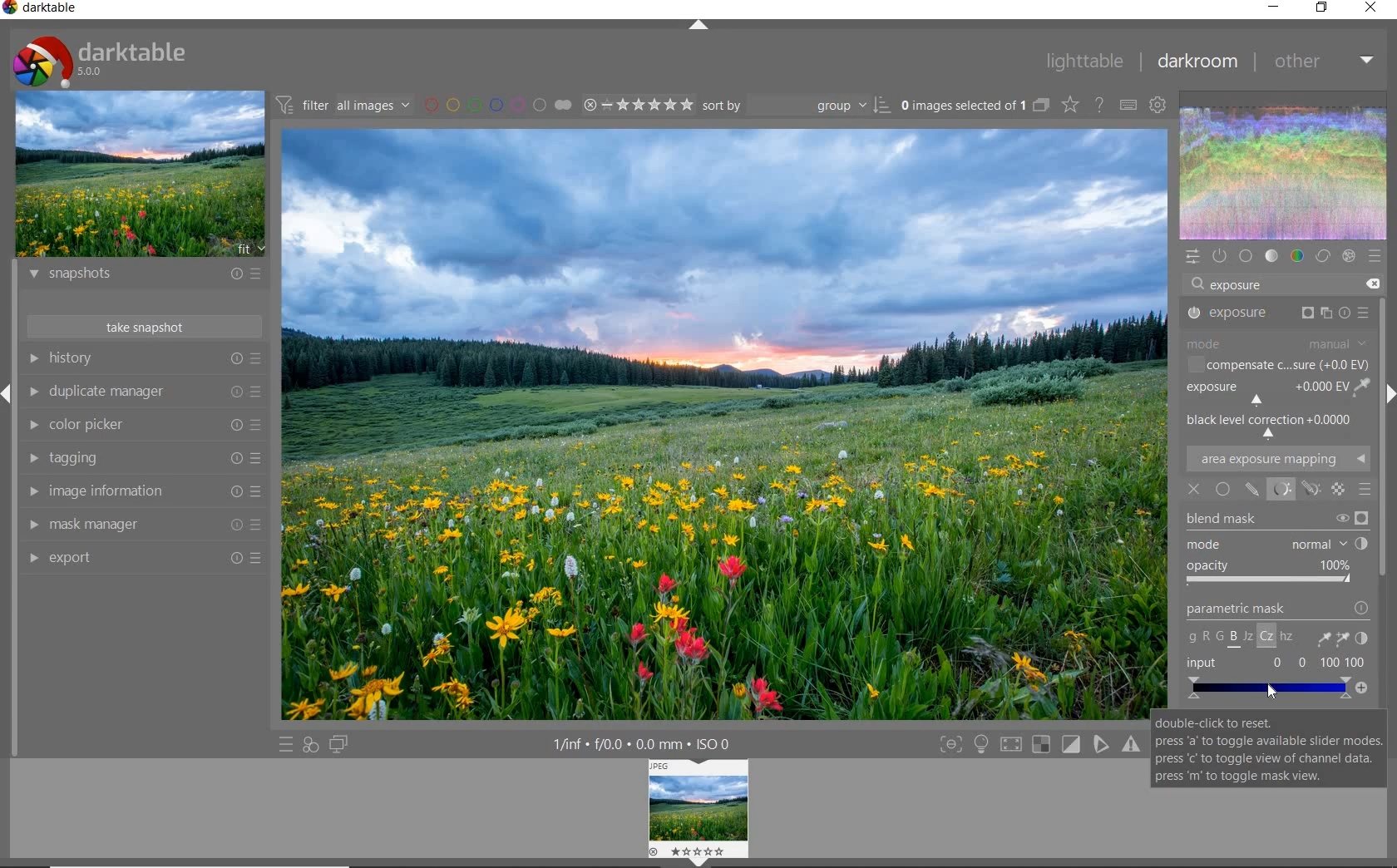  What do you see at coordinates (644, 744) in the screenshot?
I see `other display information` at bounding box center [644, 744].